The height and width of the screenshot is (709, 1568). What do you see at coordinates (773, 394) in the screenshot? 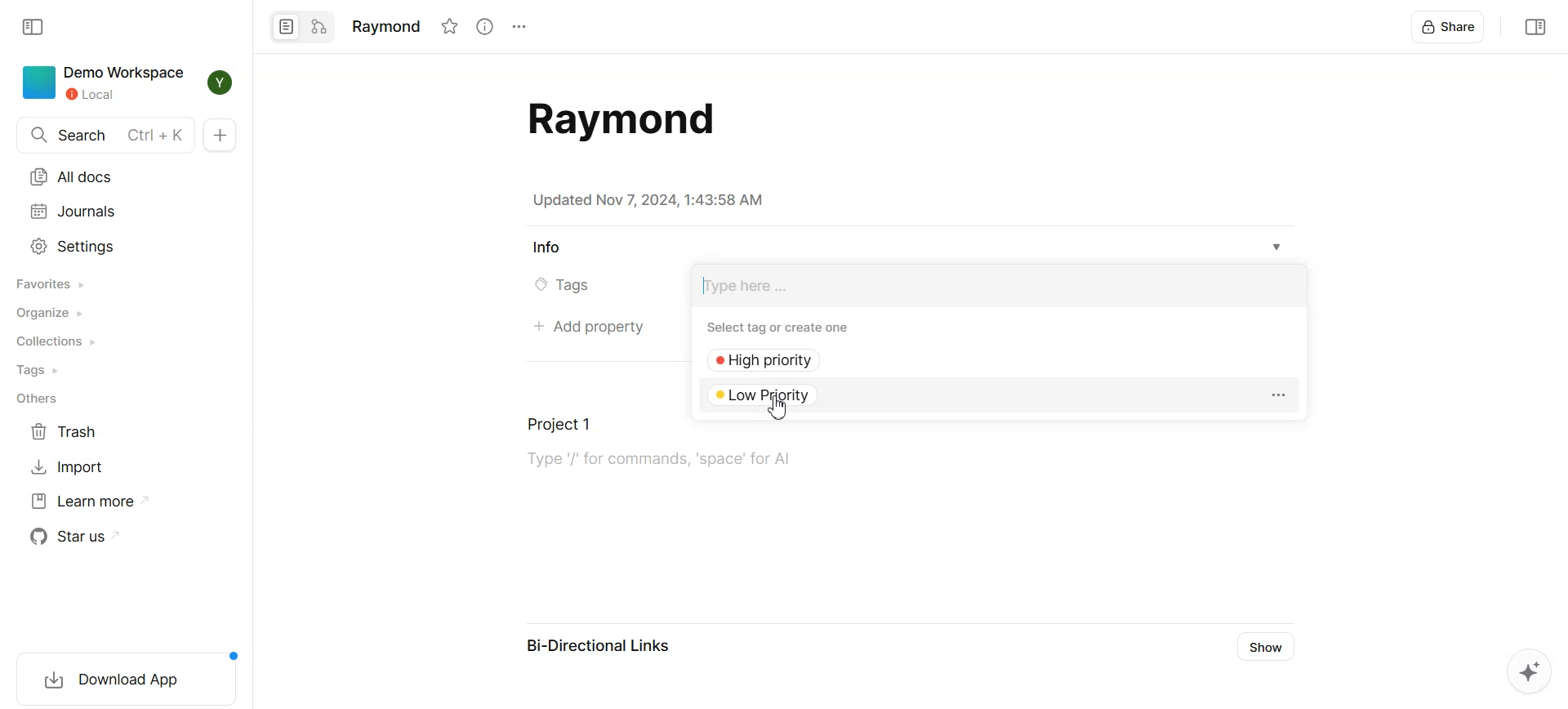
I see `Low Priority tag` at bounding box center [773, 394].